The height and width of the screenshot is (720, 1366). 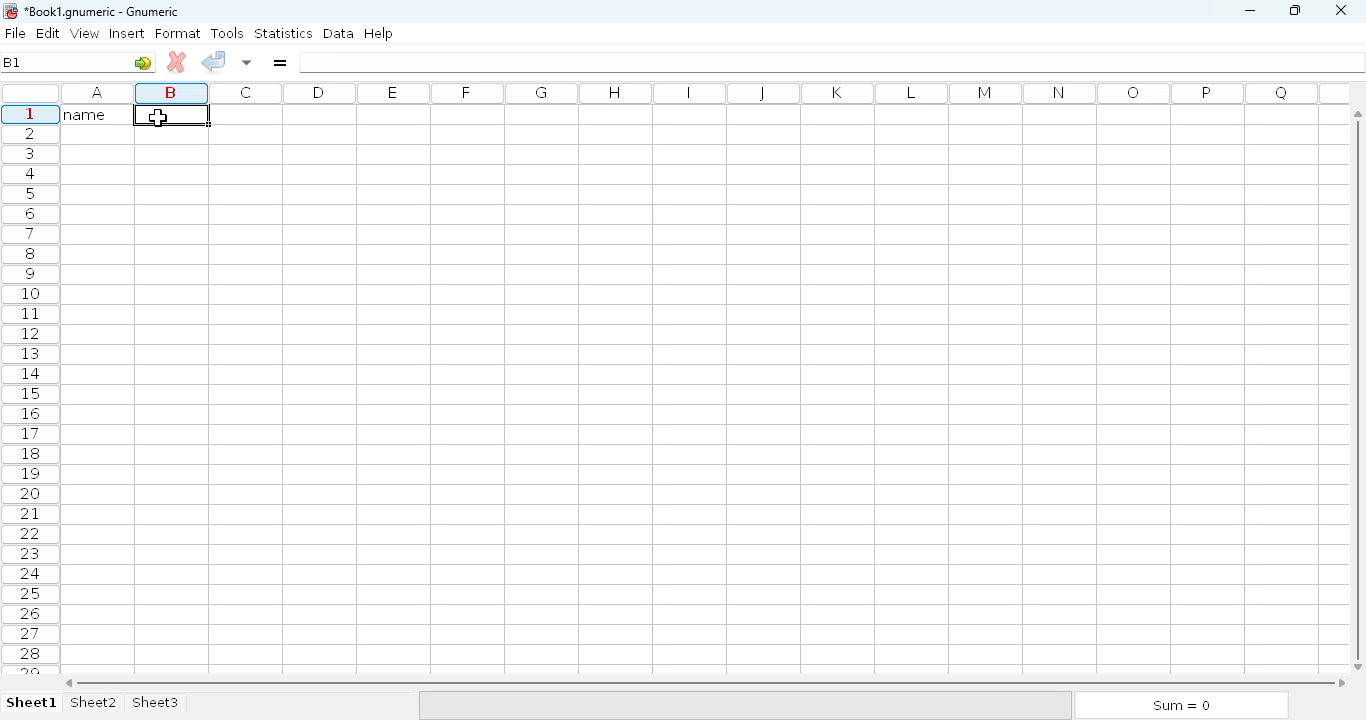 What do you see at coordinates (279, 62) in the screenshot?
I see `enter formula` at bounding box center [279, 62].